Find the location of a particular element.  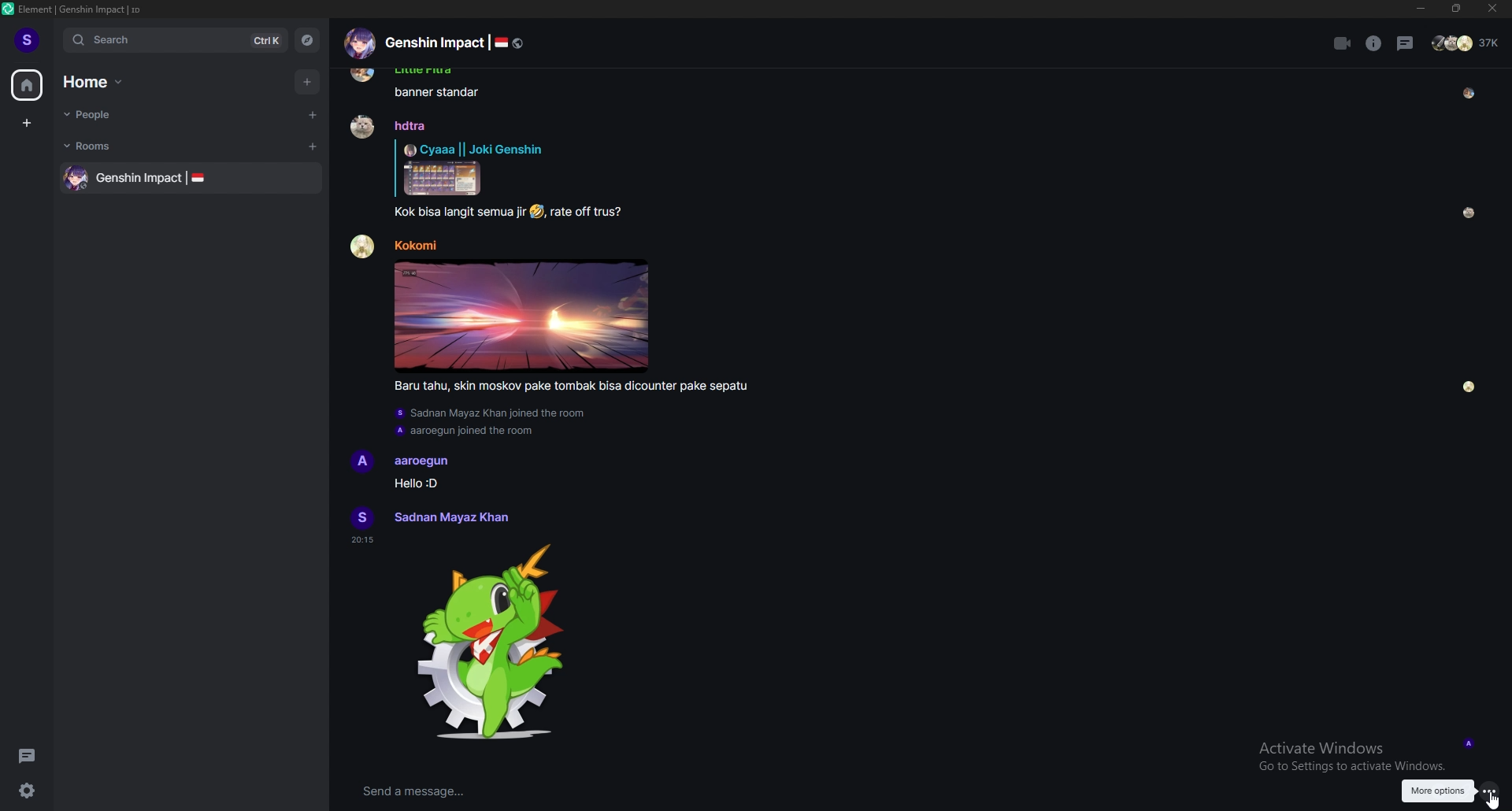

threads is located at coordinates (27, 755).